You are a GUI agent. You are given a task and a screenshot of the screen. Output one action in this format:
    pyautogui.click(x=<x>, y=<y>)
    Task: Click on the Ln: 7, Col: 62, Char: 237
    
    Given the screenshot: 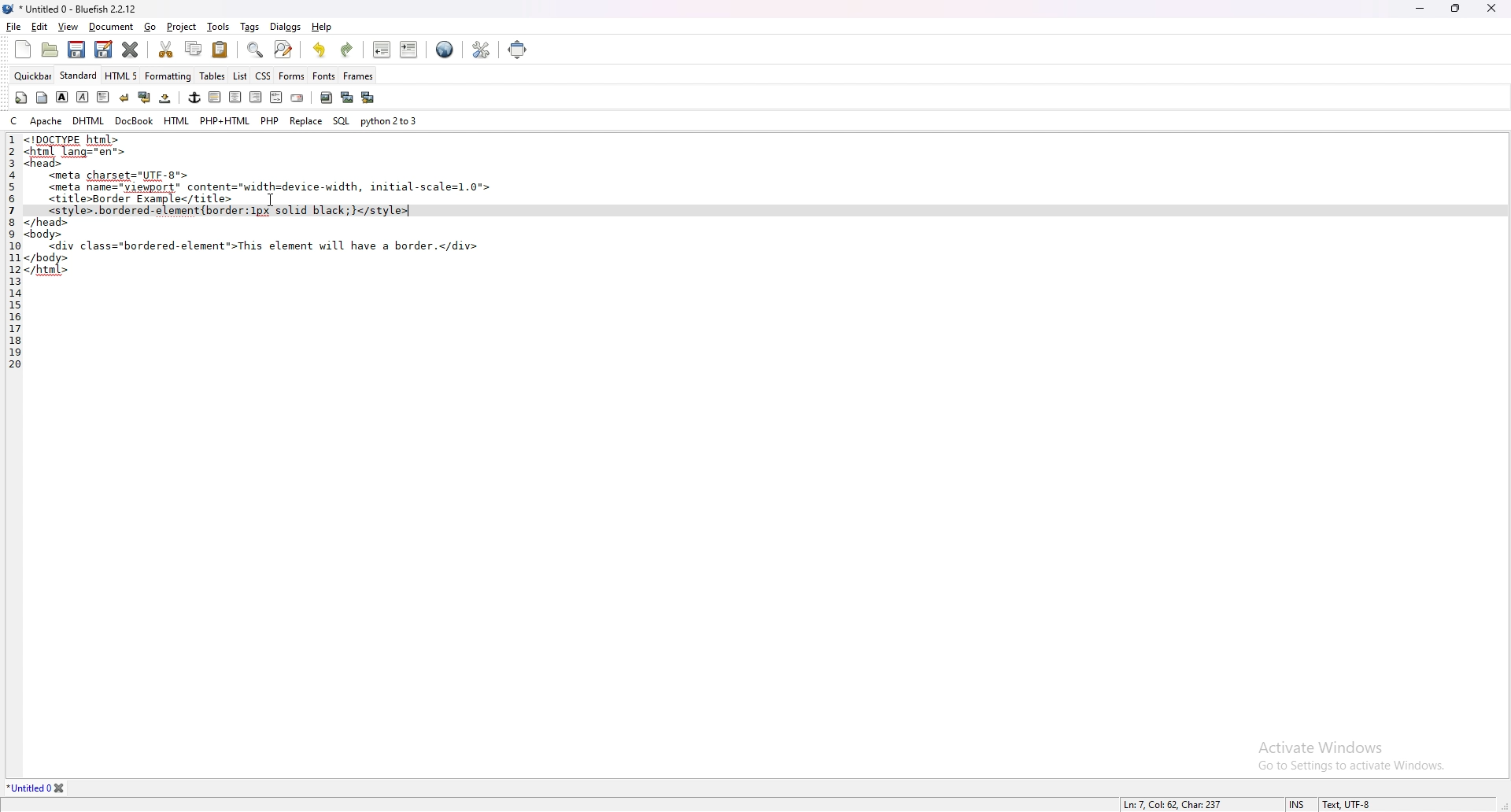 What is the action you would take?
    pyautogui.click(x=1173, y=803)
    